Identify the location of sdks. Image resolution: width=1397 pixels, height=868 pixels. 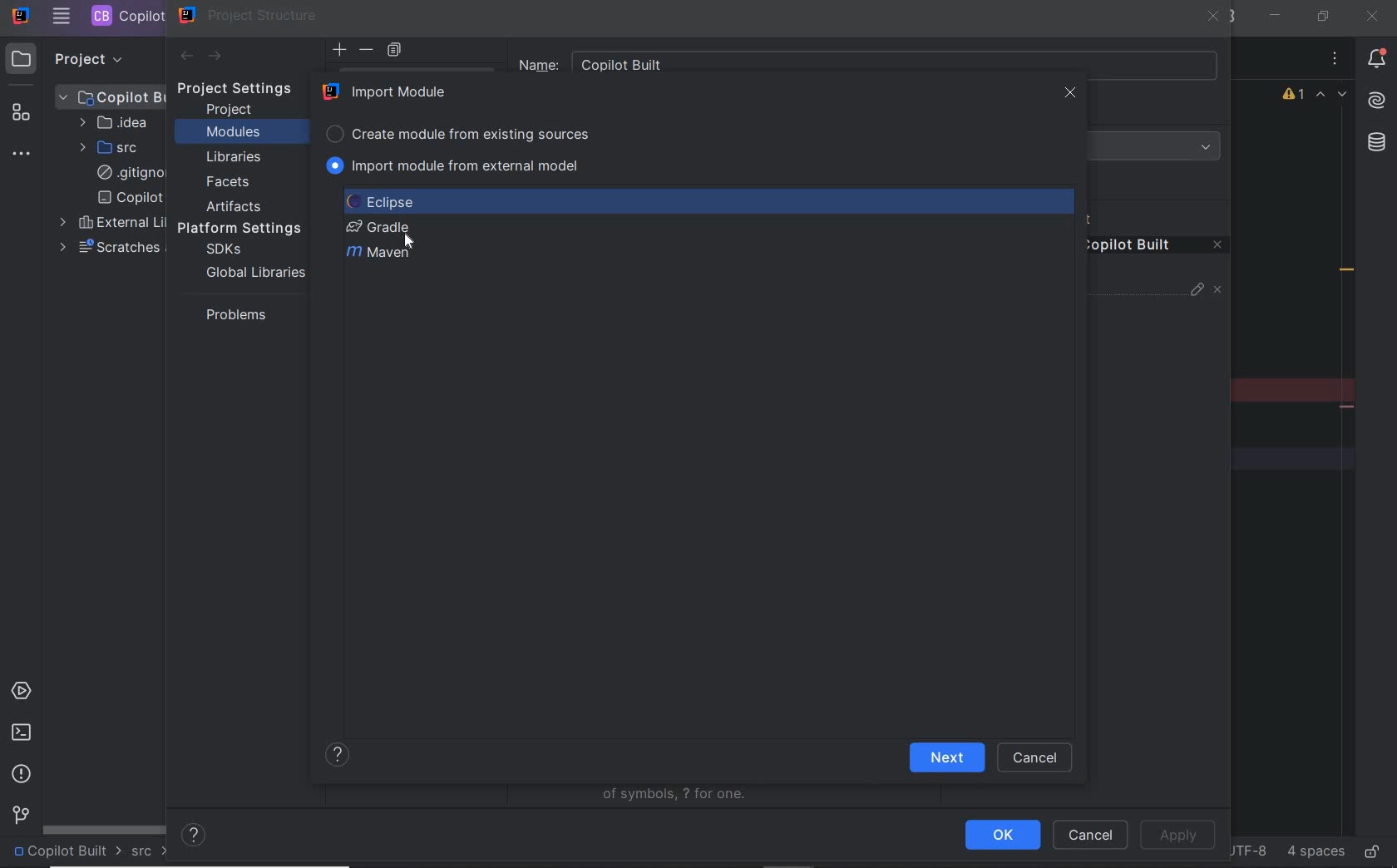
(222, 250).